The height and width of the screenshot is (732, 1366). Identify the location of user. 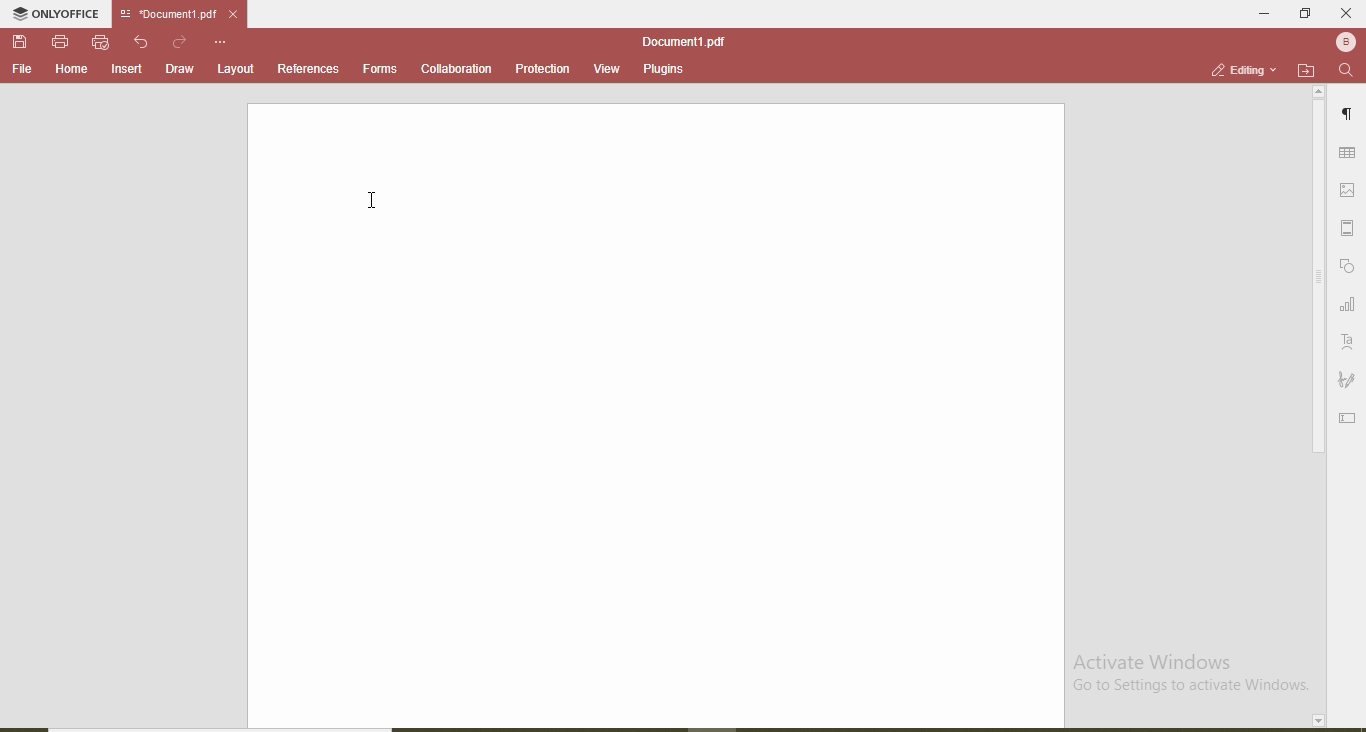
(1344, 41).